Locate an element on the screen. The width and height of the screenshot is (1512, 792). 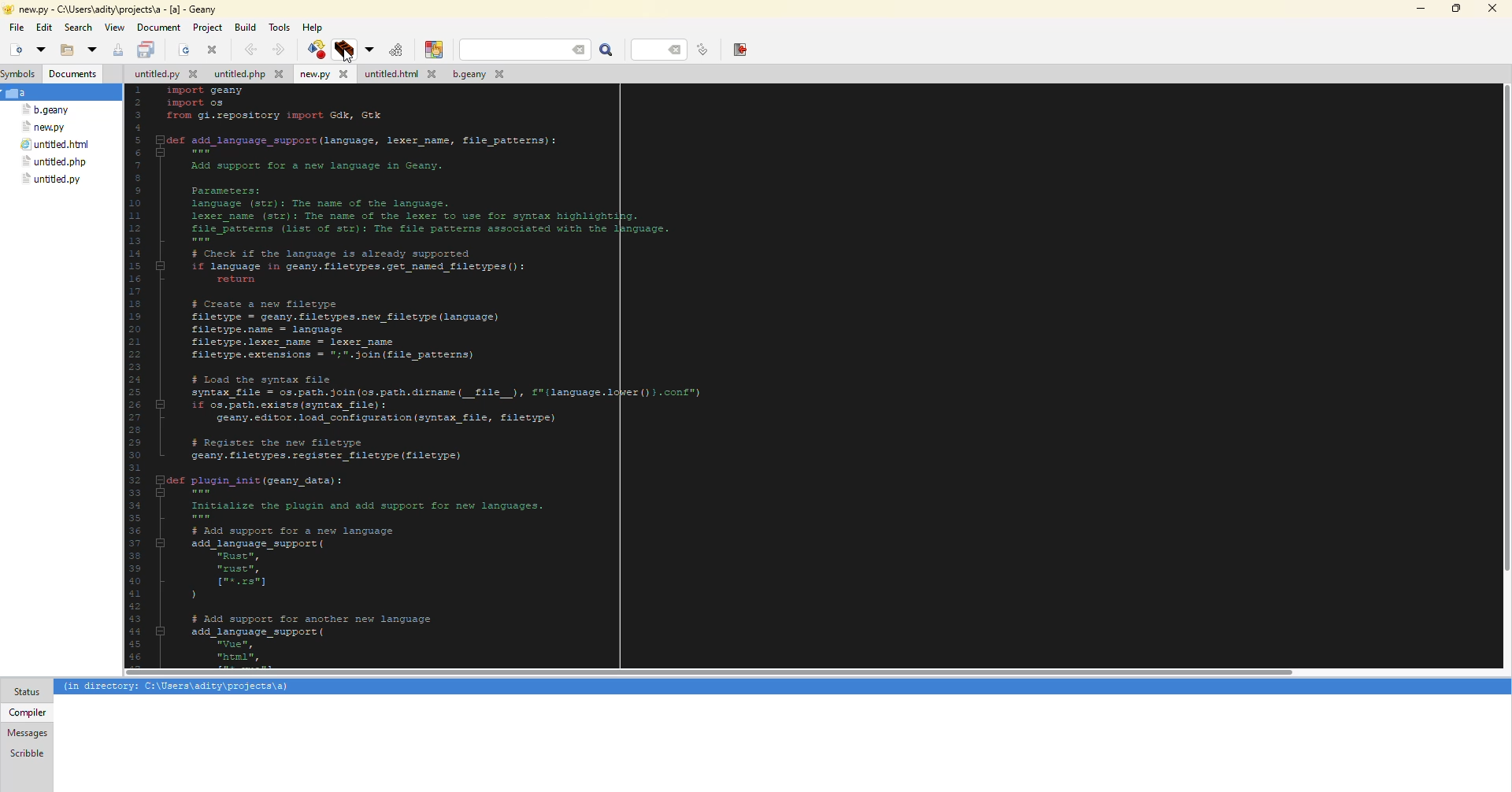
goto line is located at coordinates (703, 50).